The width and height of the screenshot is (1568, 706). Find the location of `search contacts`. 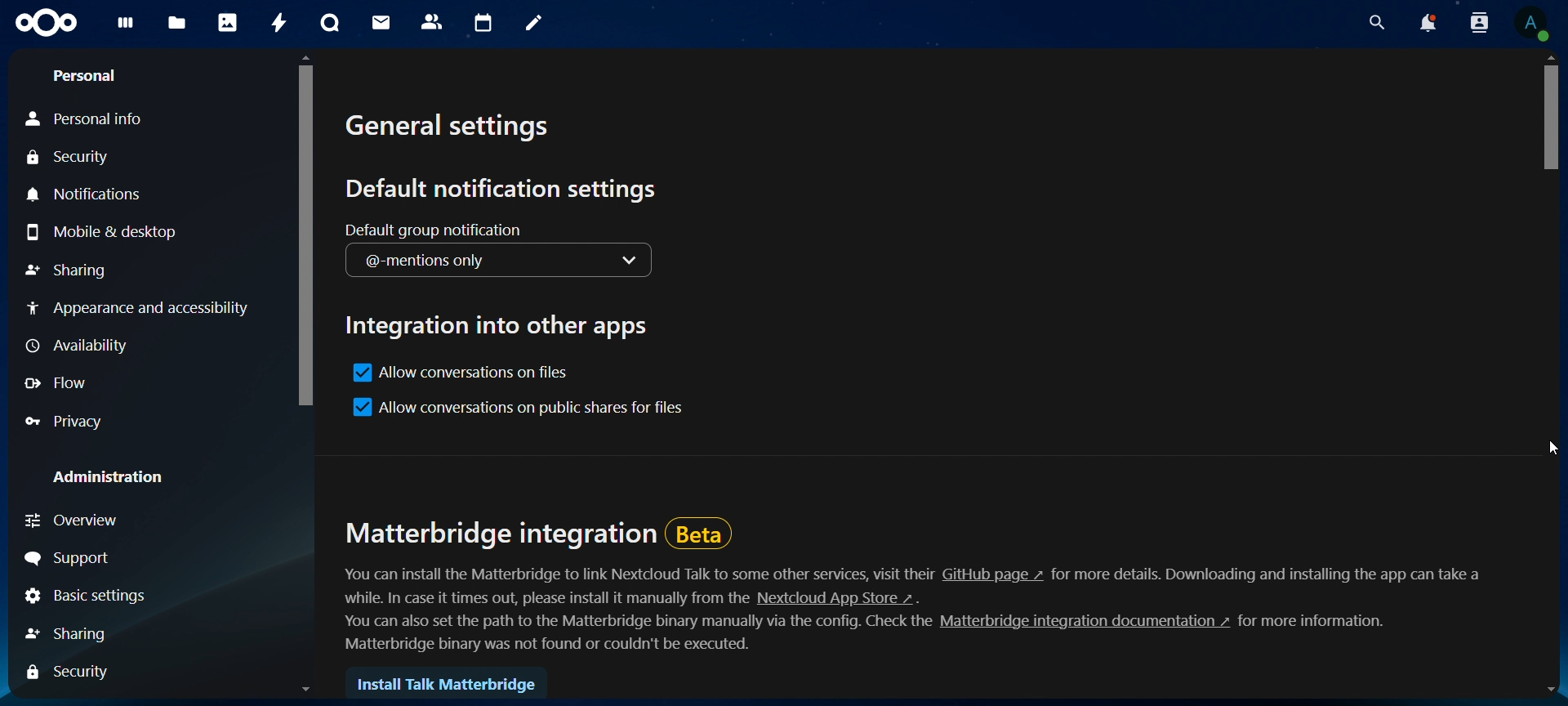

search contacts is located at coordinates (1479, 25).